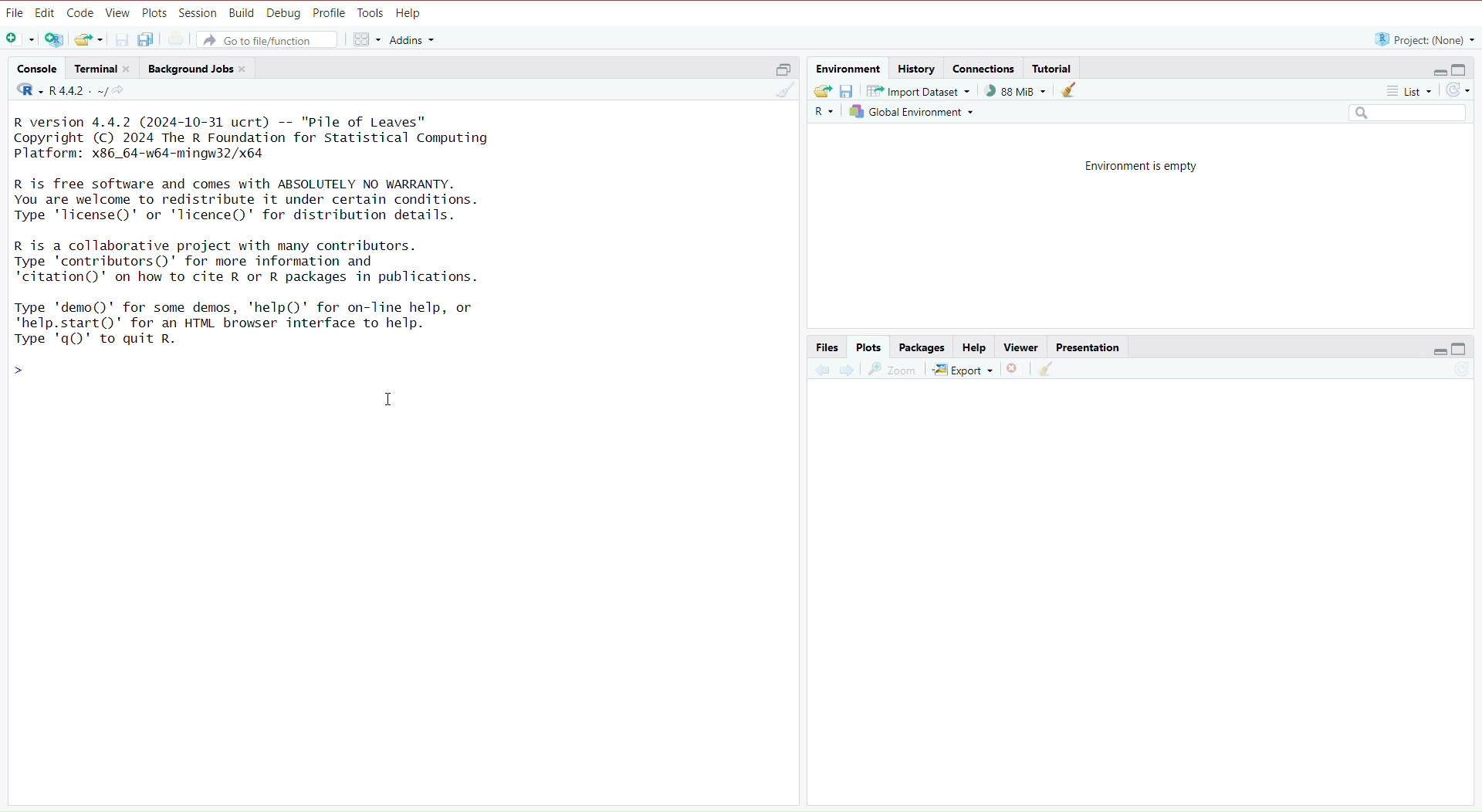  What do you see at coordinates (1461, 349) in the screenshot?
I see `collapse` at bounding box center [1461, 349].